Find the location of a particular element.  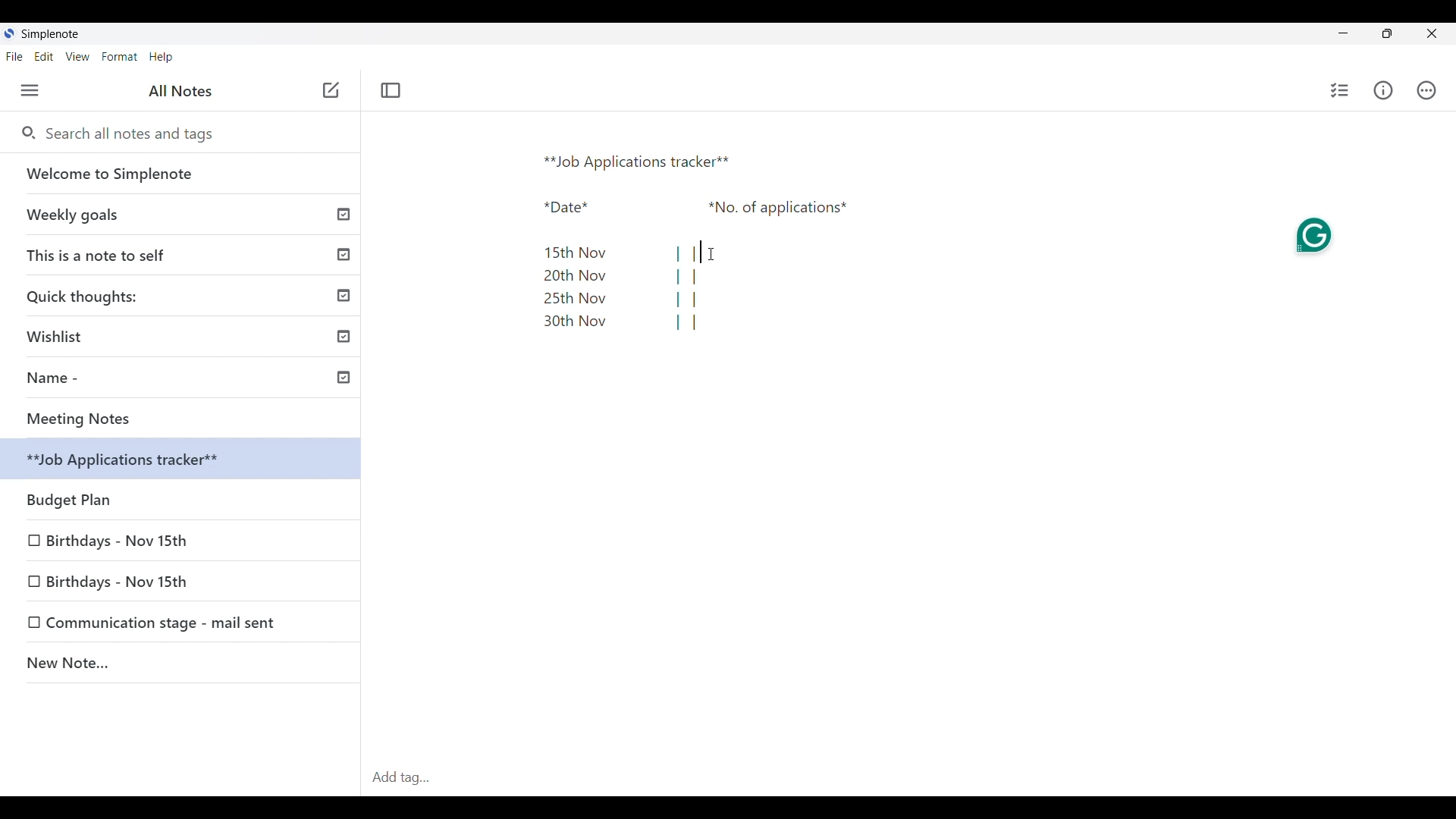

Format is located at coordinates (120, 57).